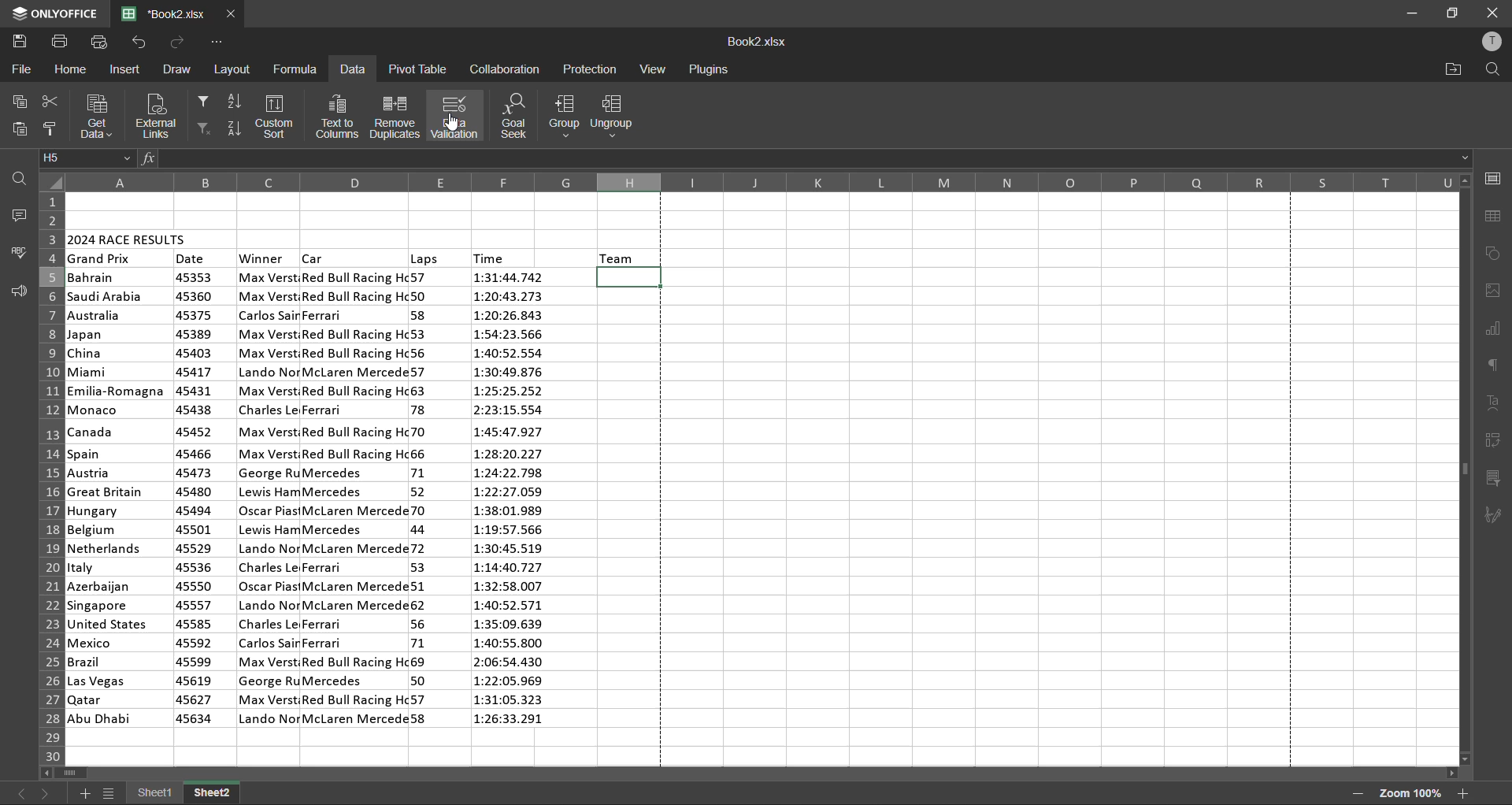  Describe the element at coordinates (1493, 331) in the screenshot. I see `charts` at that location.